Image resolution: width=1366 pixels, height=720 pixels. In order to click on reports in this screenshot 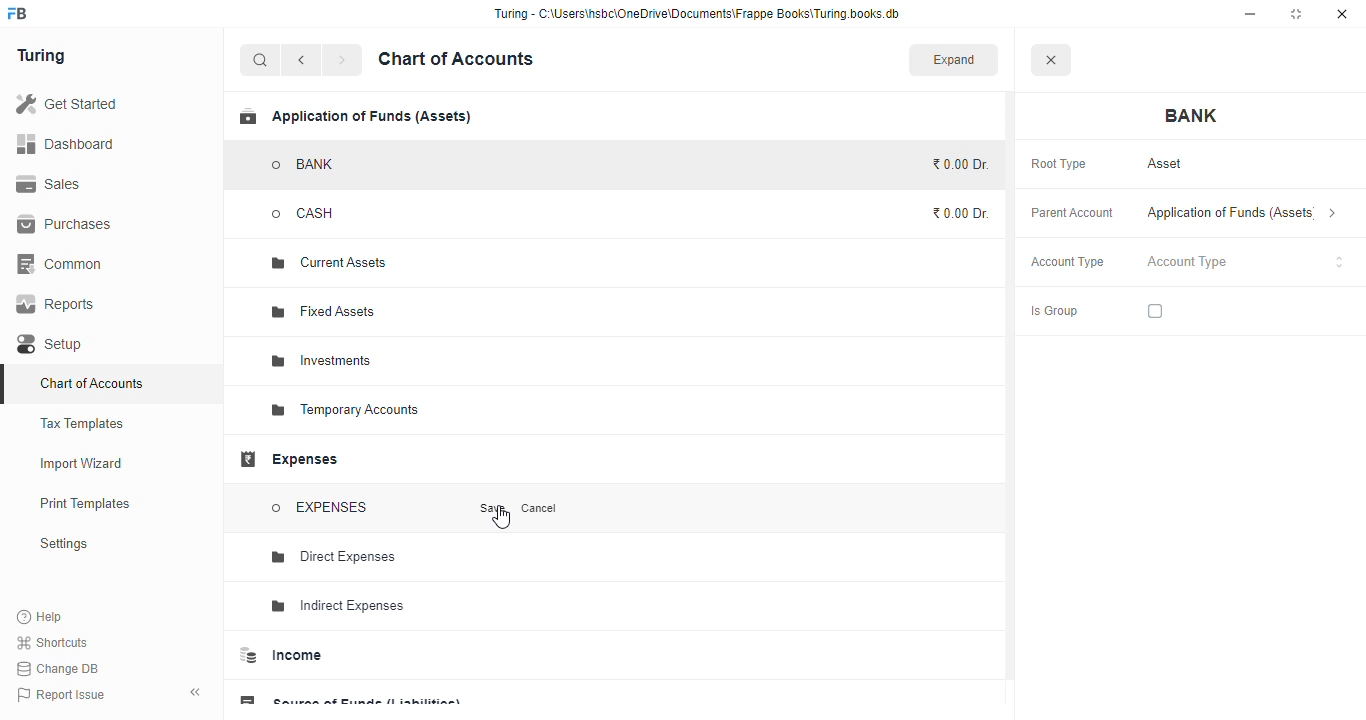, I will do `click(56, 304)`.